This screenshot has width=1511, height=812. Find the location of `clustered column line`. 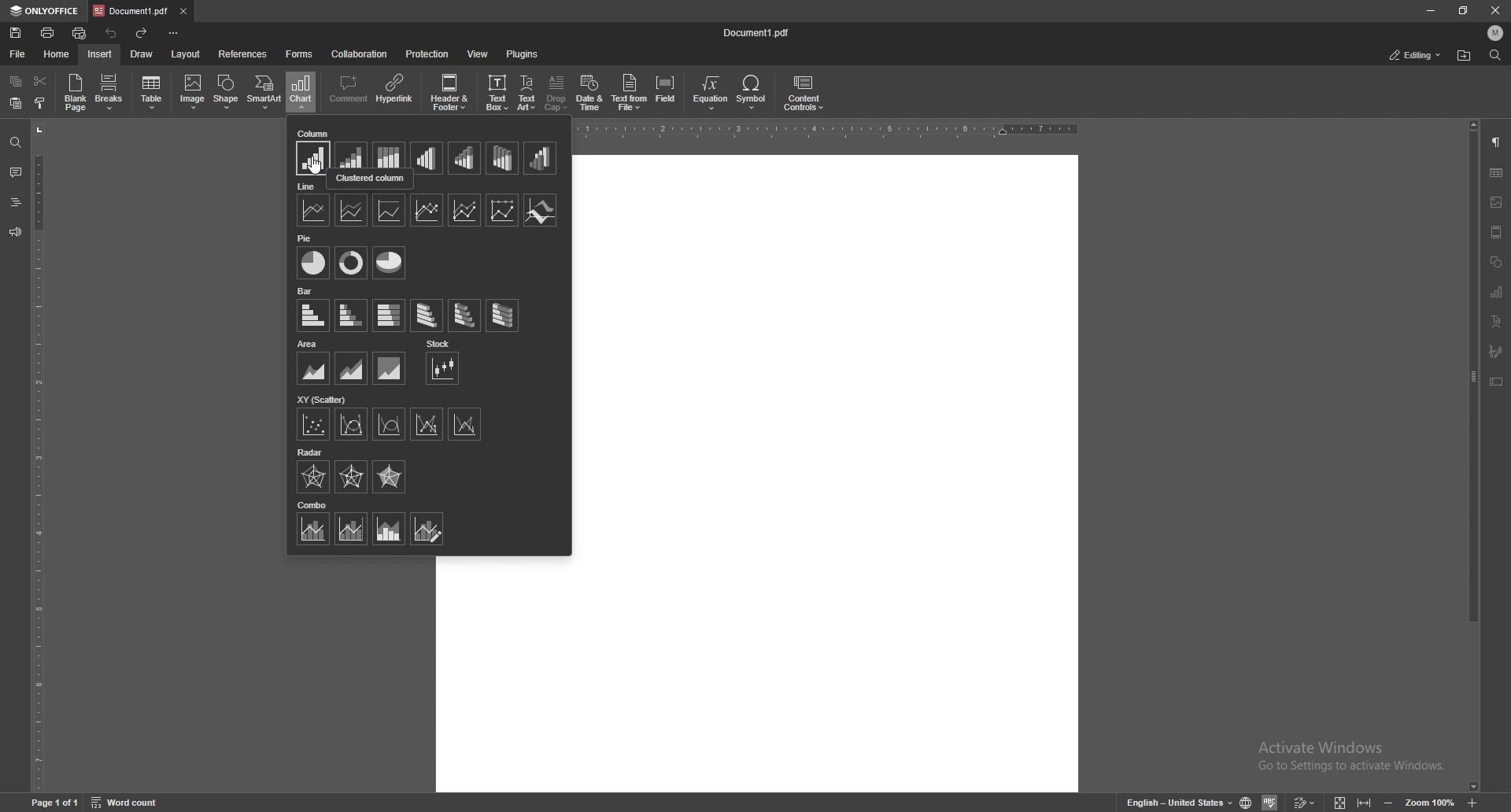

clustered column line is located at coordinates (312, 530).